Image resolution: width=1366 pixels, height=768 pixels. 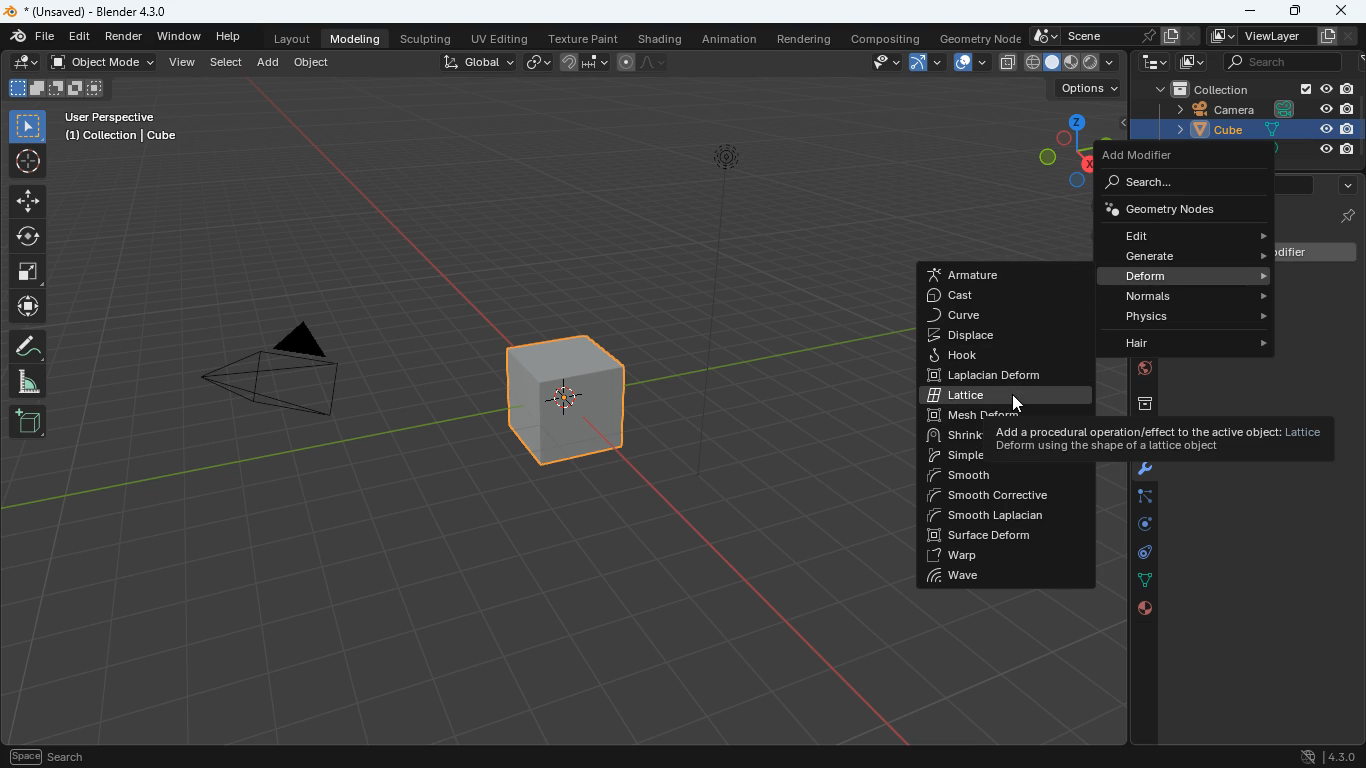 I want to click on copy, so click(x=970, y=63).